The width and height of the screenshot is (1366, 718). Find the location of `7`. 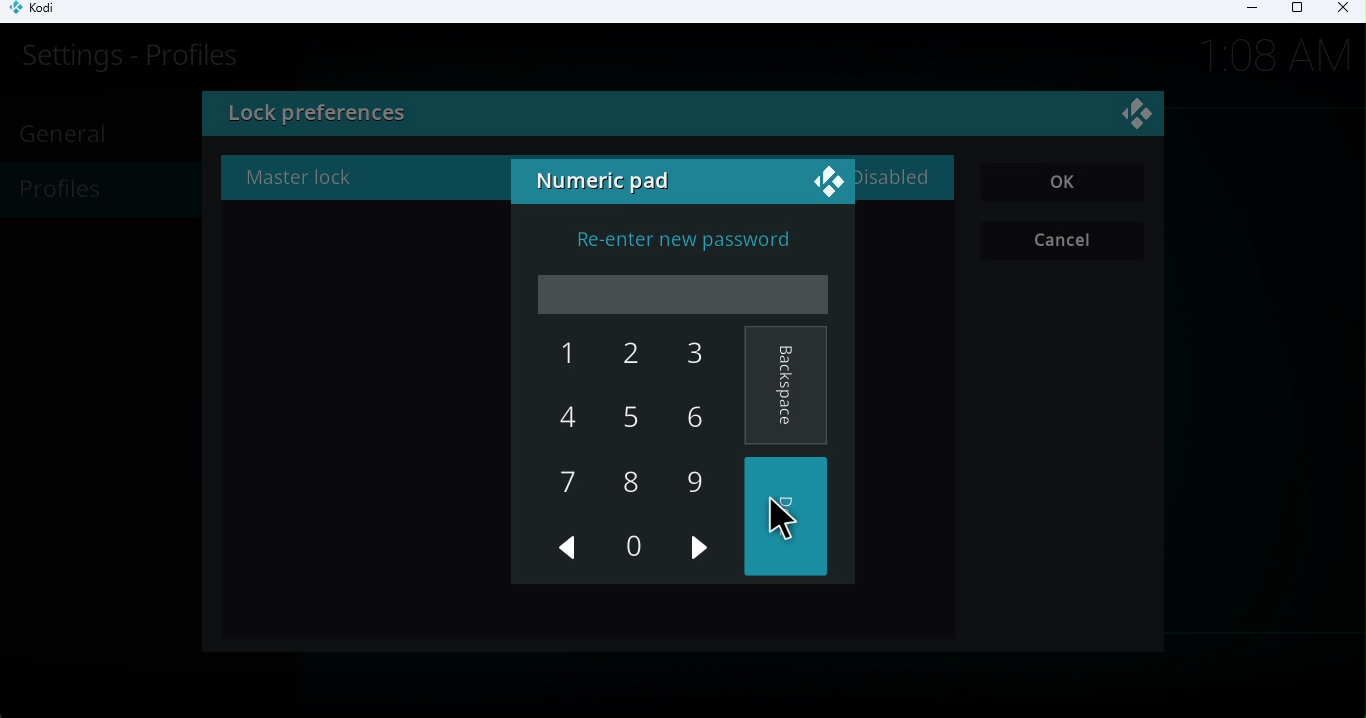

7 is located at coordinates (569, 486).